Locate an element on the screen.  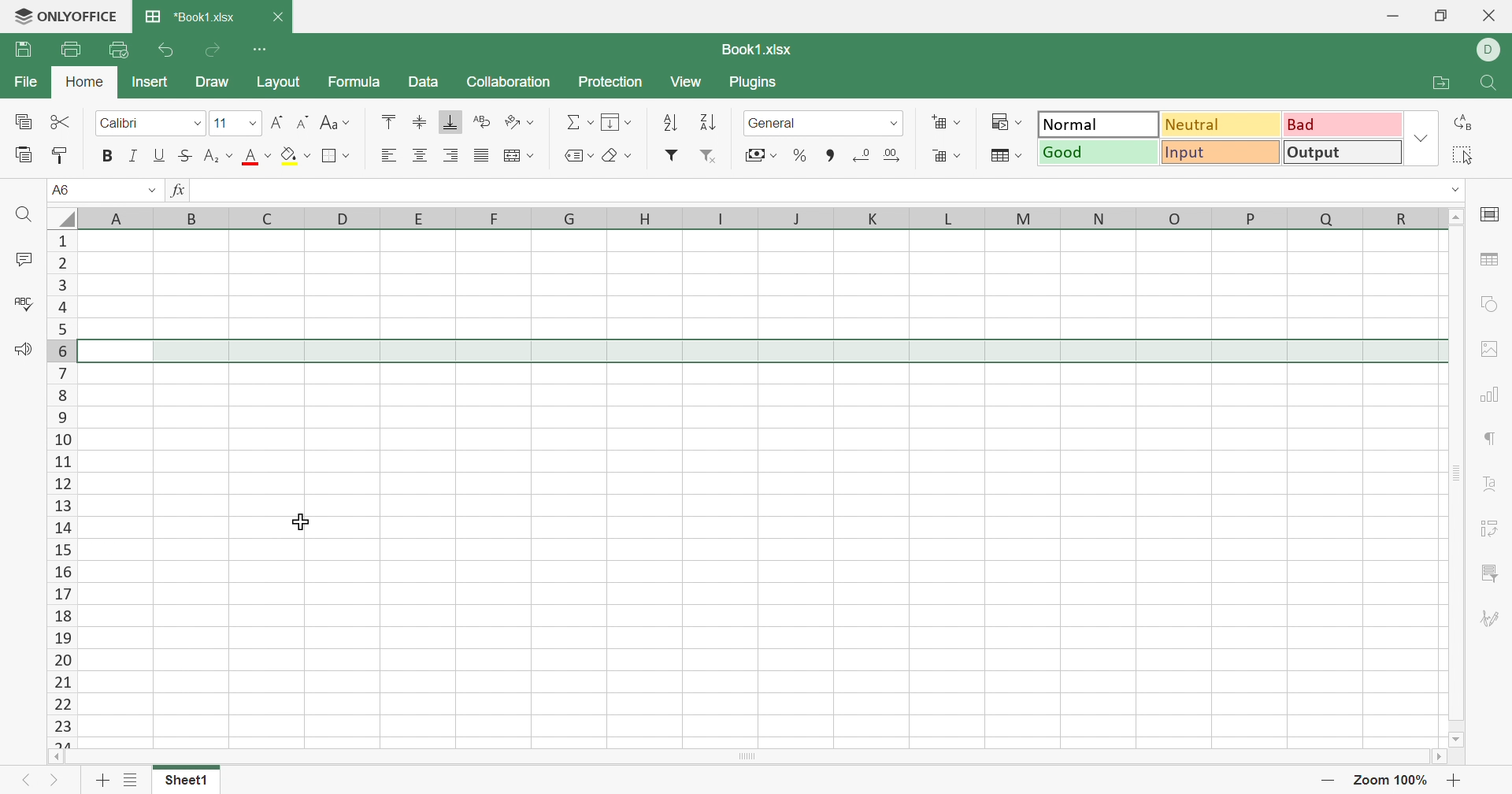
Align Right is located at coordinates (451, 154).